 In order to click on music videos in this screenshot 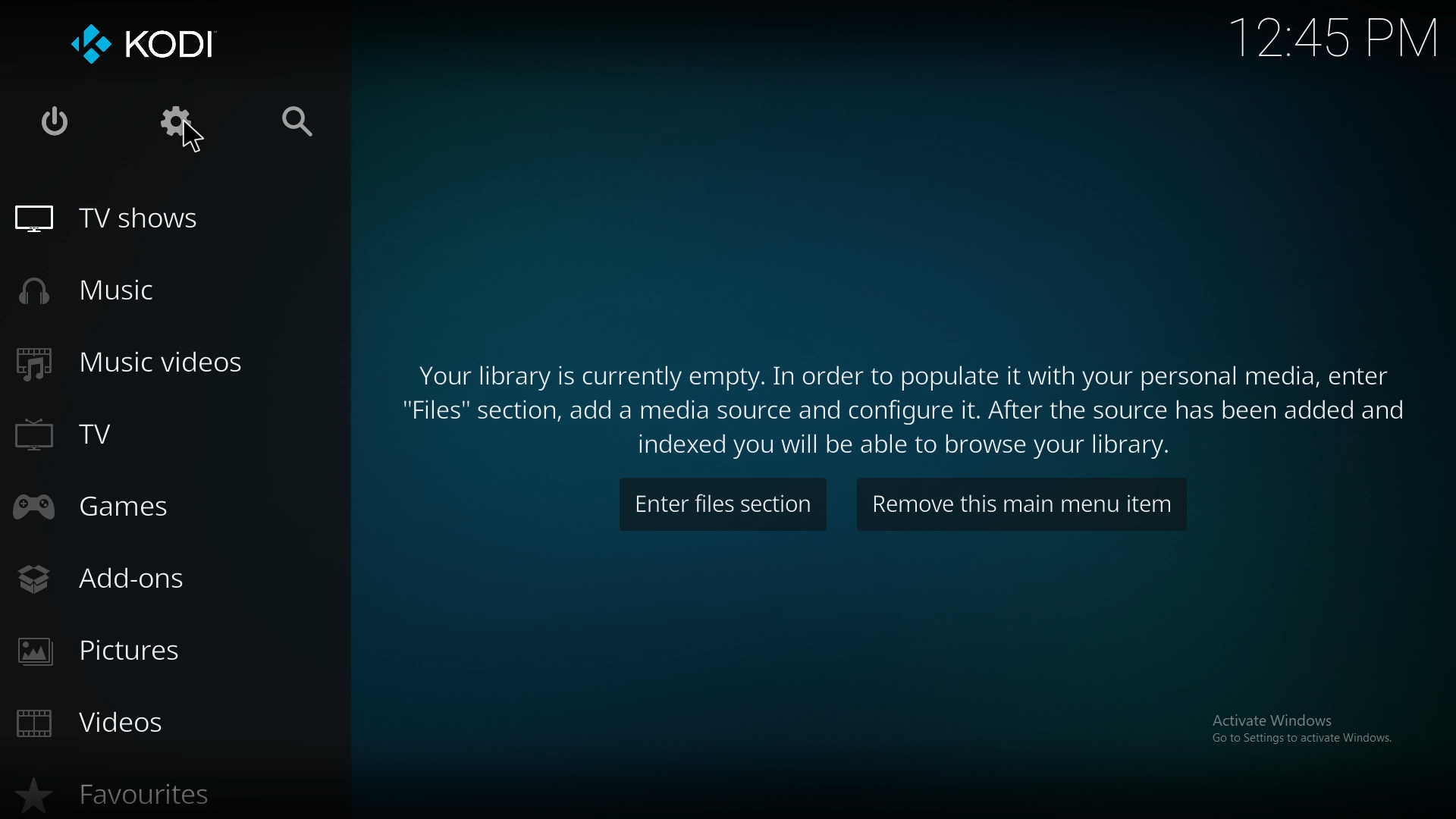, I will do `click(146, 362)`.